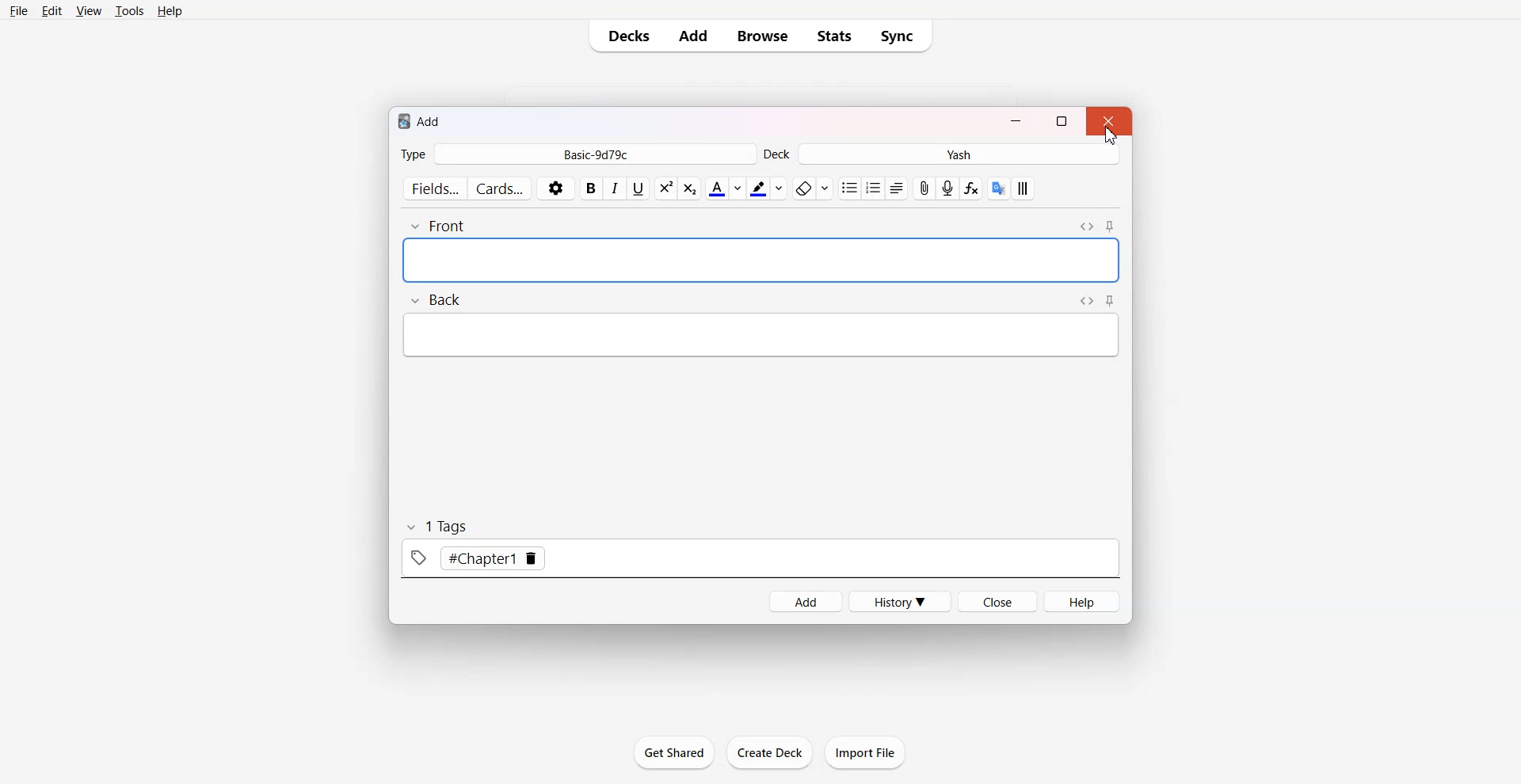 This screenshot has width=1521, height=784. Describe the element at coordinates (1081, 601) in the screenshot. I see `Help` at that location.